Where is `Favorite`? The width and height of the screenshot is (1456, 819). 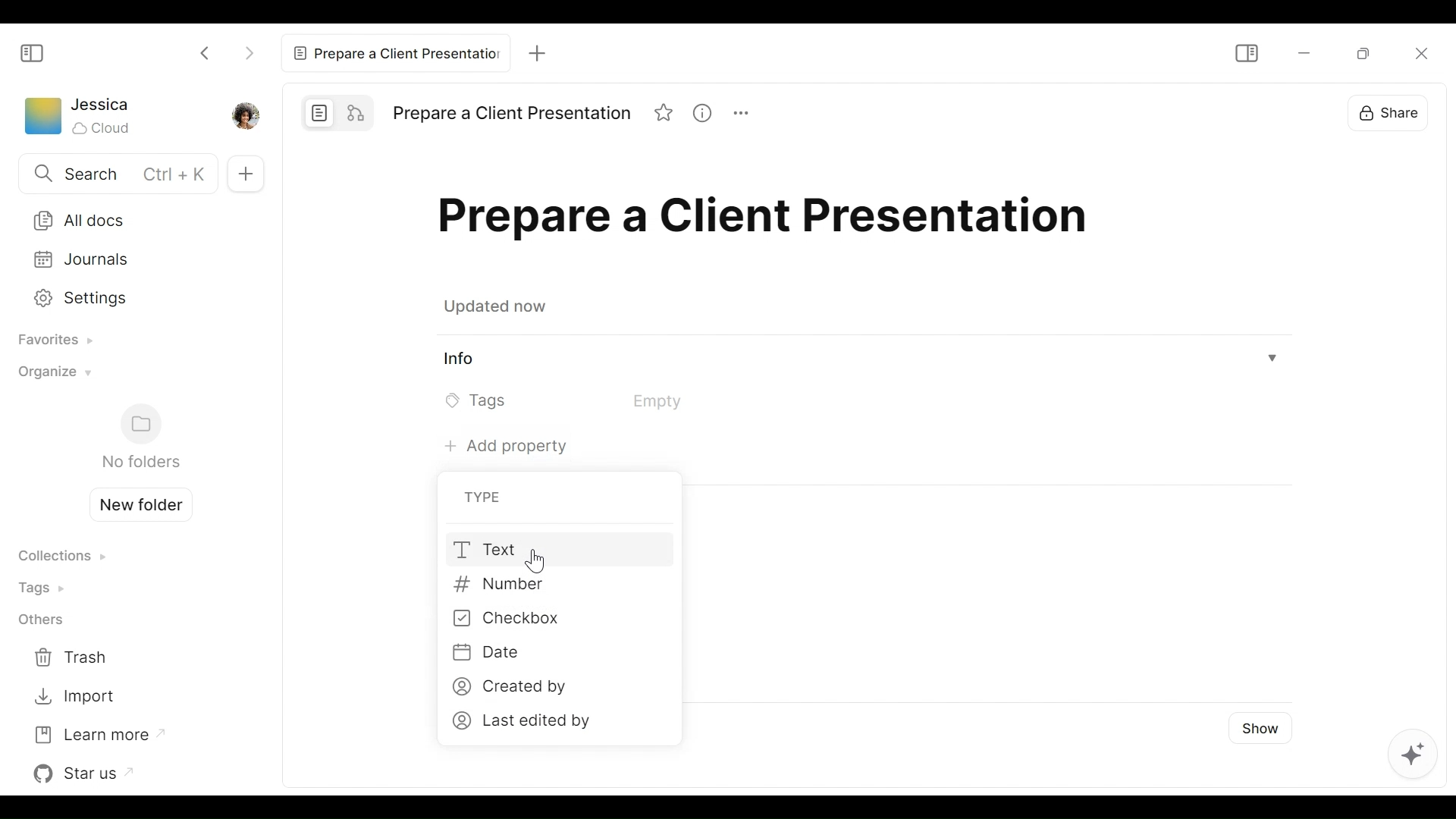
Favorite is located at coordinates (665, 115).